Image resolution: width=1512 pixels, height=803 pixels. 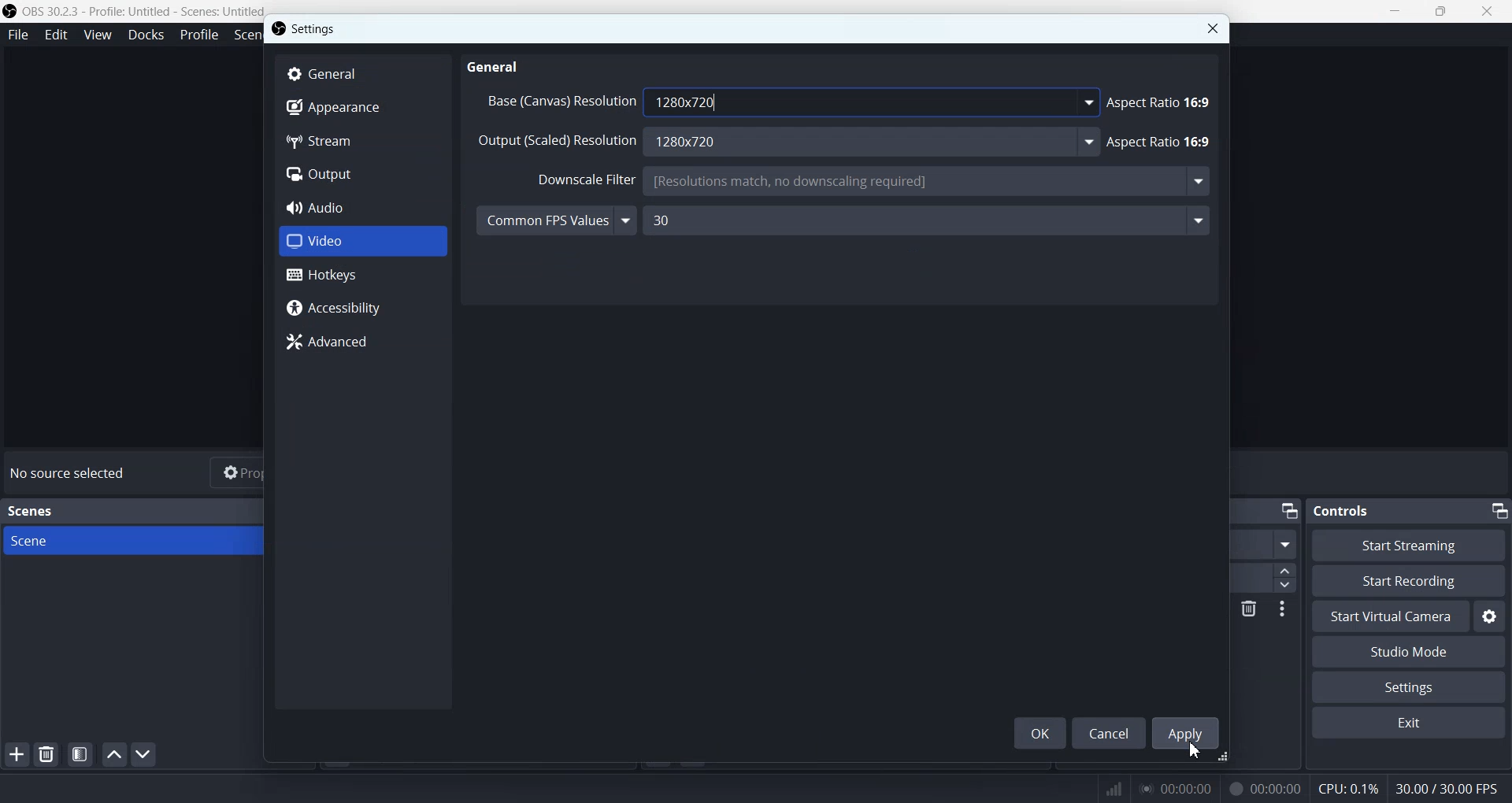 What do you see at coordinates (80, 754) in the screenshot?
I see `Open scene filter` at bounding box center [80, 754].